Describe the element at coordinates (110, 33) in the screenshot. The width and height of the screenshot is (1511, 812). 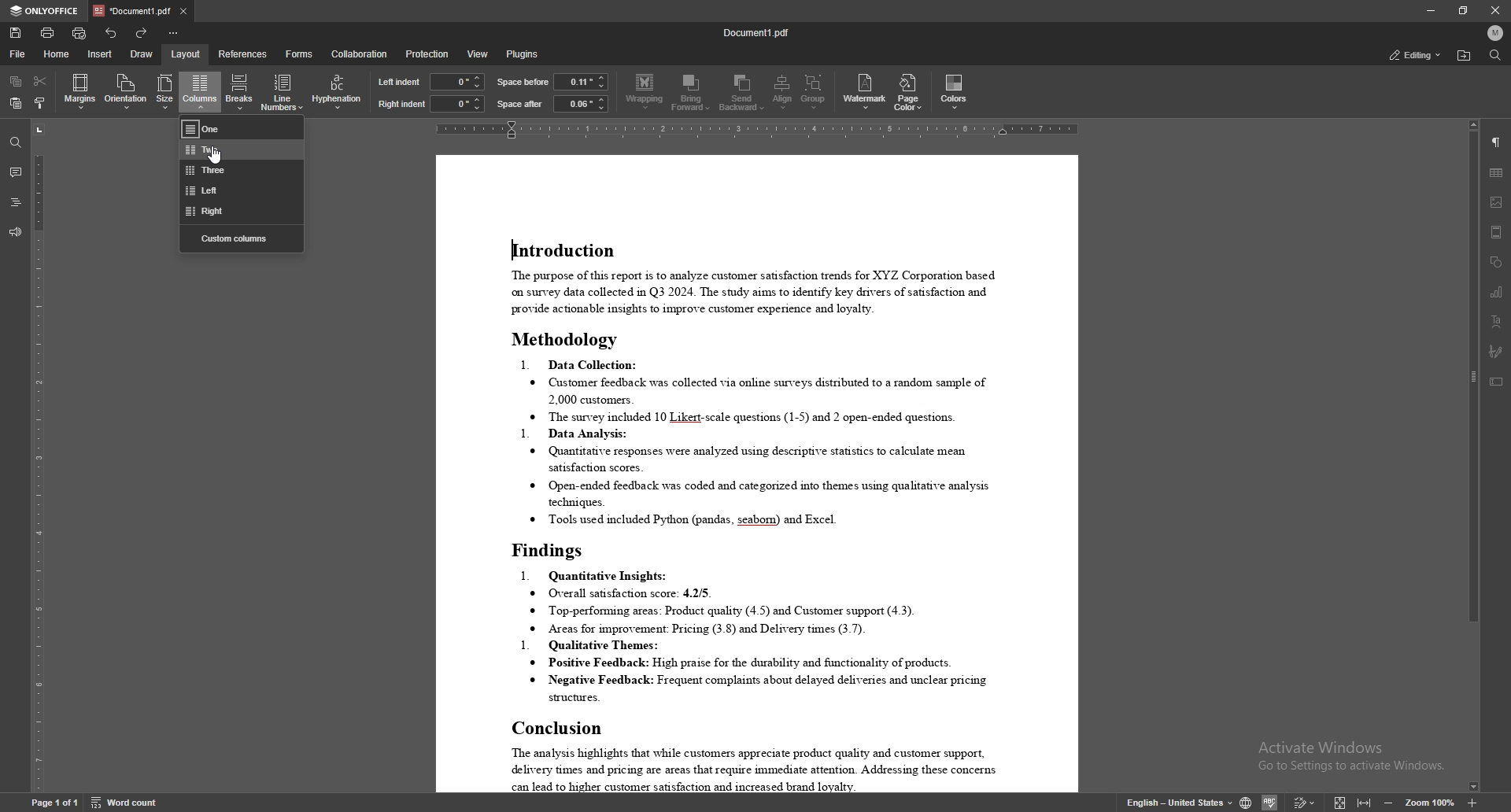
I see `undo` at that location.